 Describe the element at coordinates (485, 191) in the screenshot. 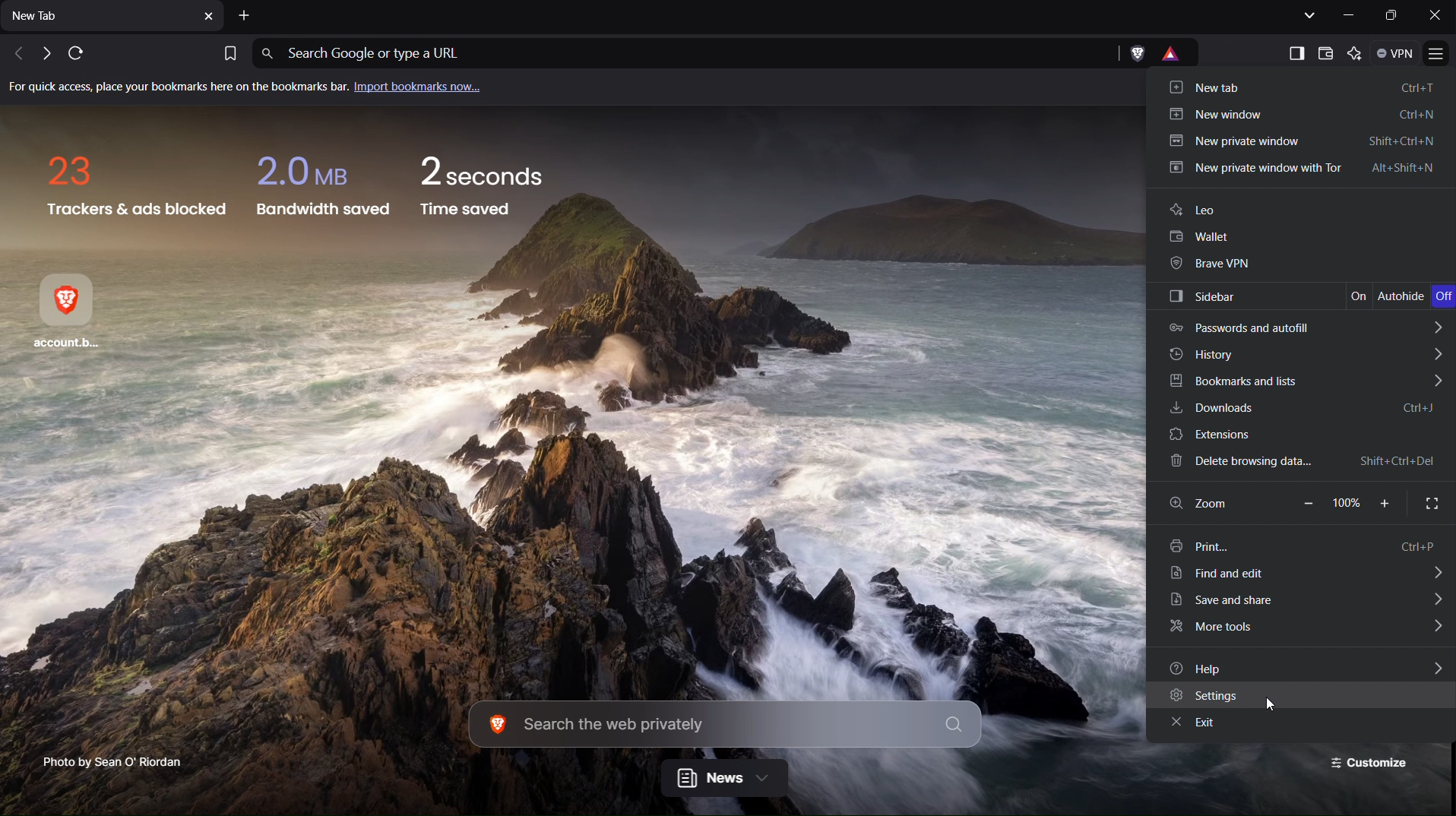

I see `Time saved` at that location.